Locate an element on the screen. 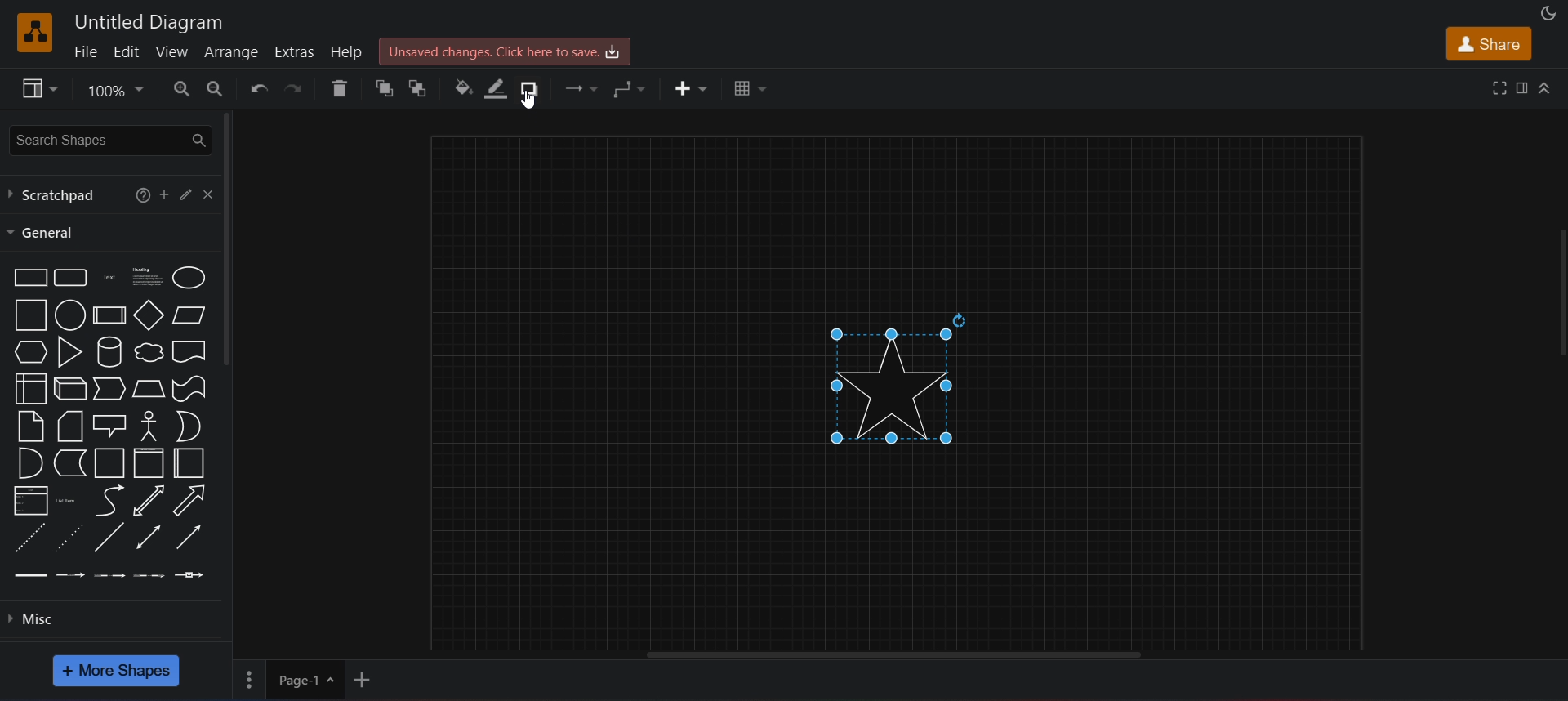 The width and height of the screenshot is (1568, 701). square is located at coordinates (27, 315).